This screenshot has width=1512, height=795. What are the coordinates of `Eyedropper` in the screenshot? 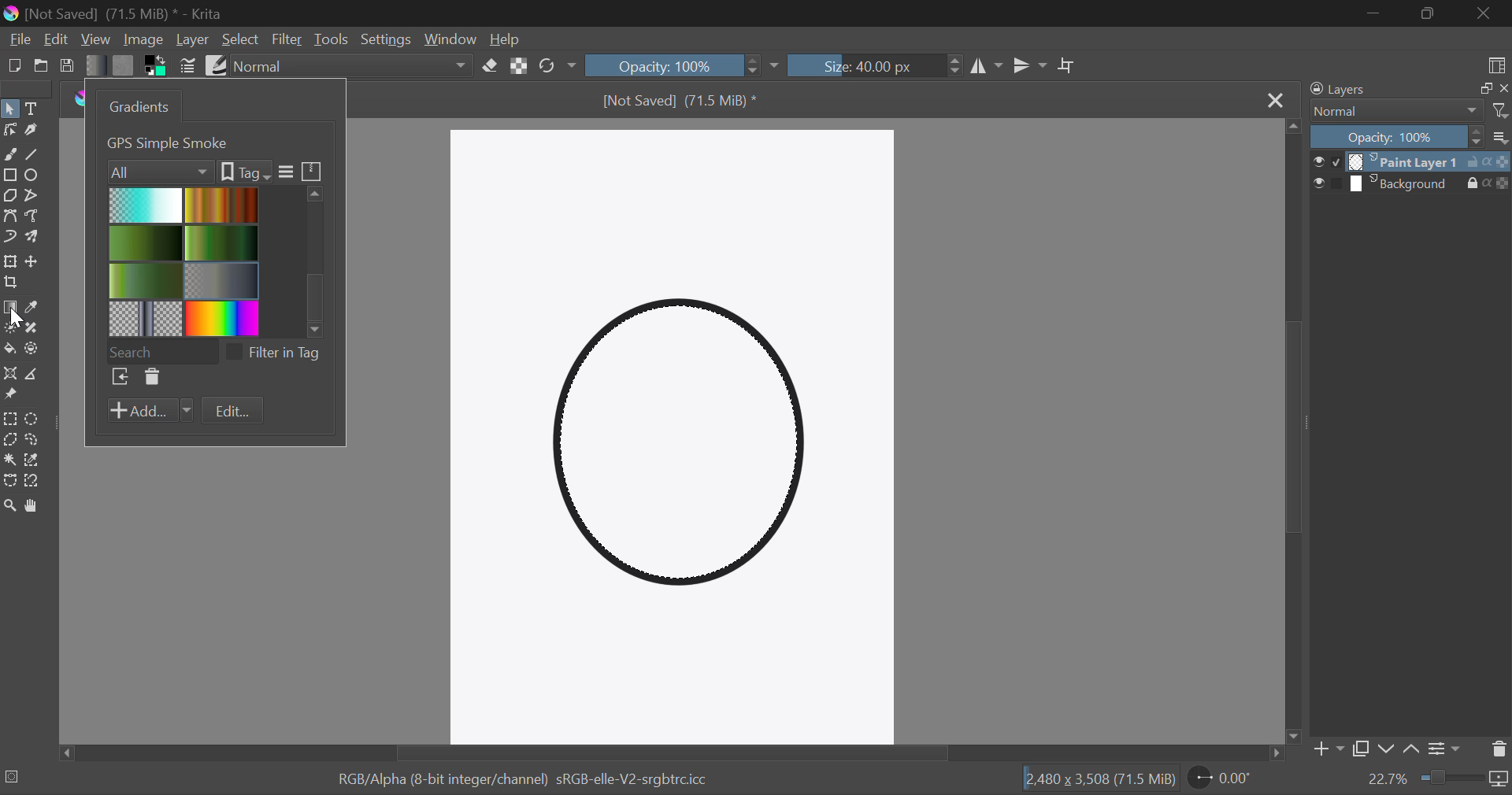 It's located at (36, 307).